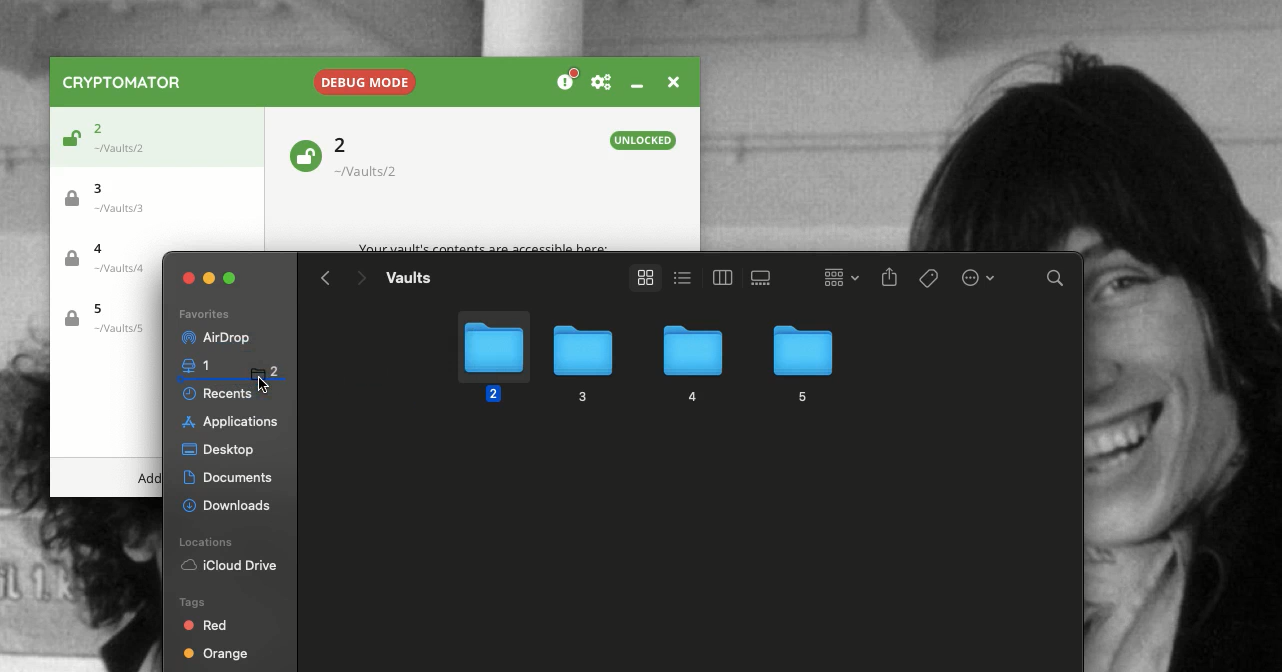  Describe the element at coordinates (641, 278) in the screenshot. I see `View` at that location.